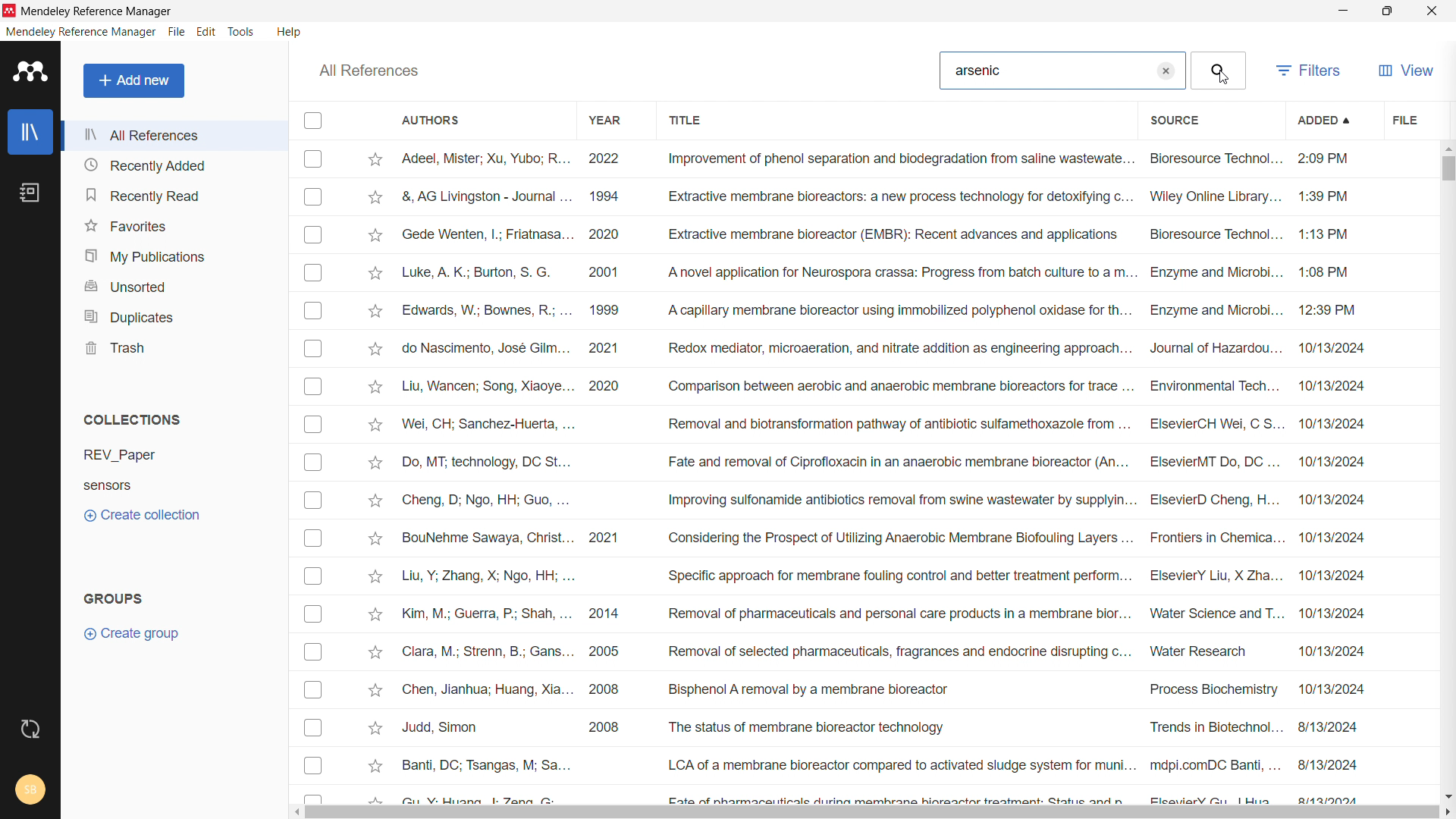  What do you see at coordinates (596, 460) in the screenshot?
I see `Do, MT: technology, DC St... Fate and removal of Ciprofloxacin in an anaerobic membrane bioreactor (An...  ElsevierMT Do, DC... 10/13/2024` at bounding box center [596, 460].